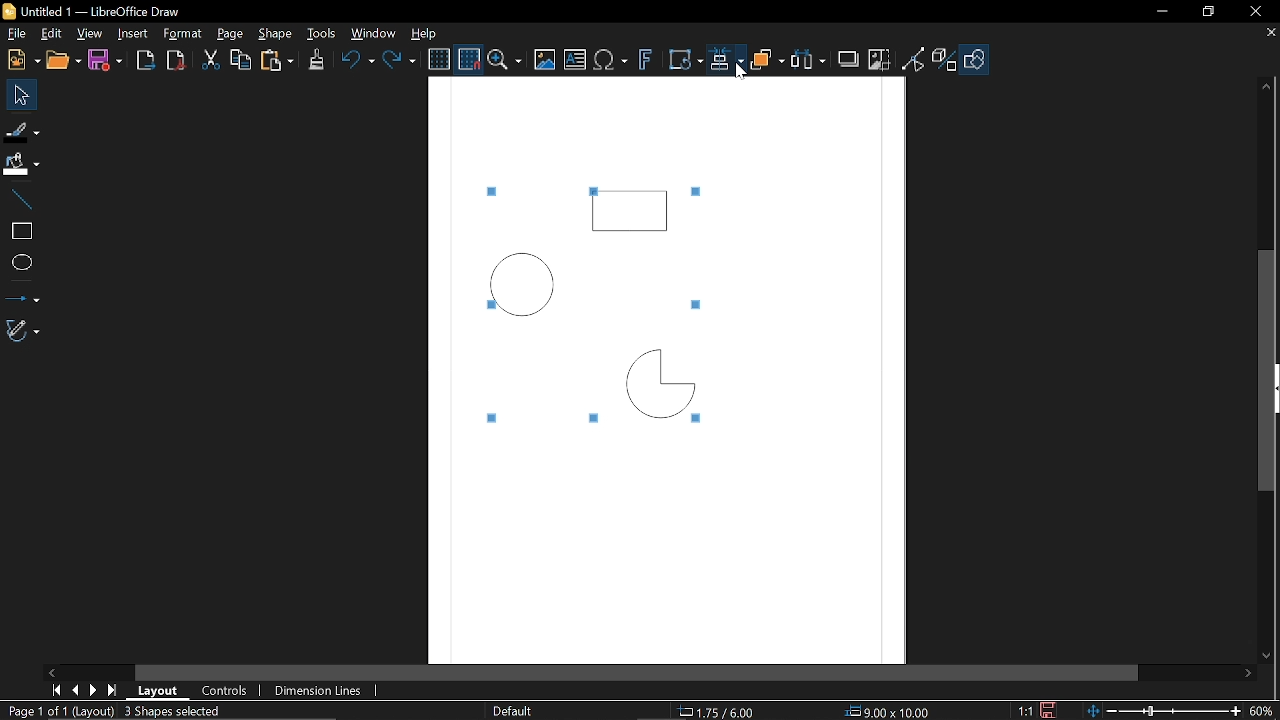 The width and height of the screenshot is (1280, 720). Describe the element at coordinates (659, 382) in the screenshot. I see `Quarter Circle` at that location.